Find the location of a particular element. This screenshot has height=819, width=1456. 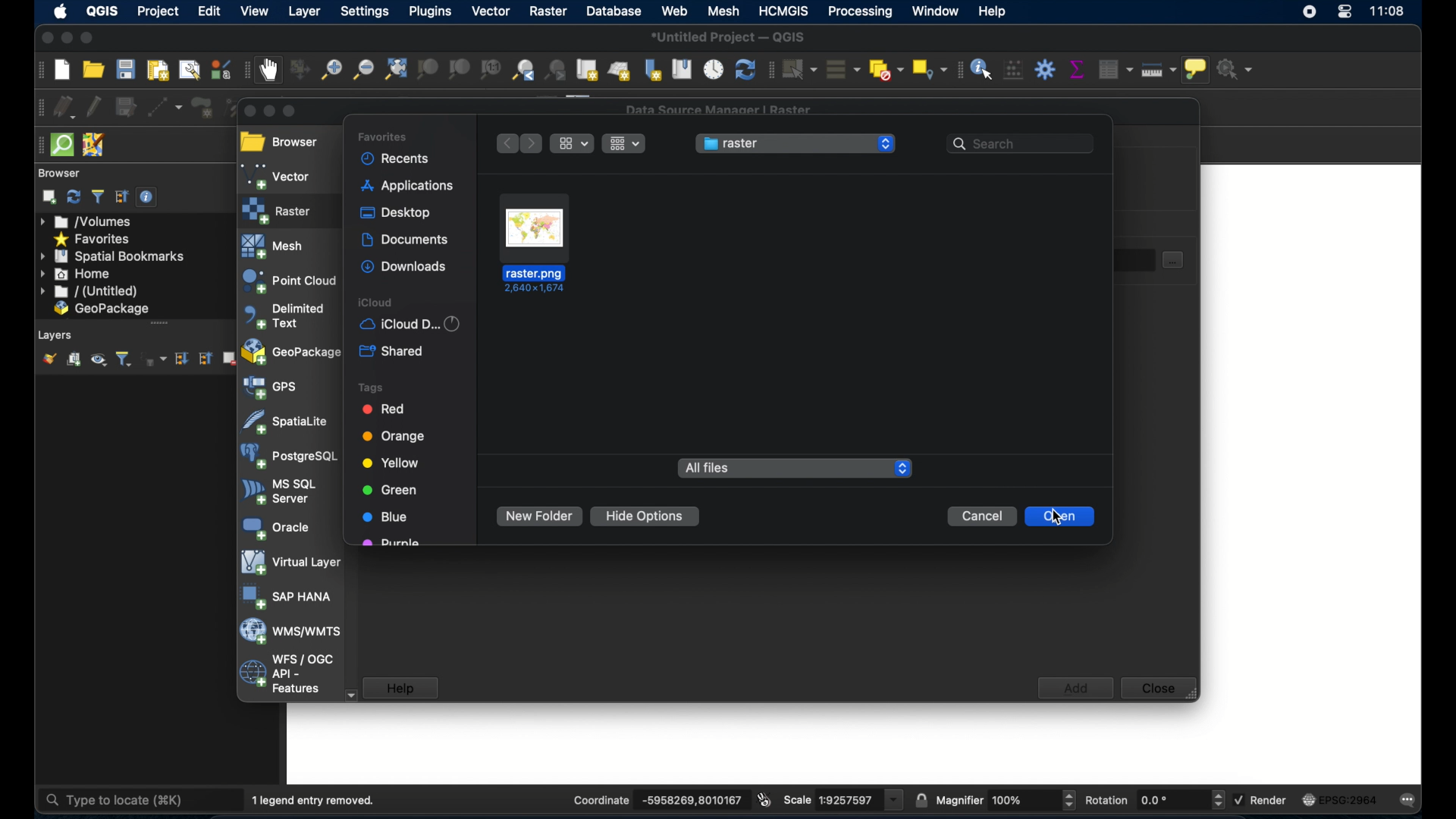

identify features is located at coordinates (982, 68).